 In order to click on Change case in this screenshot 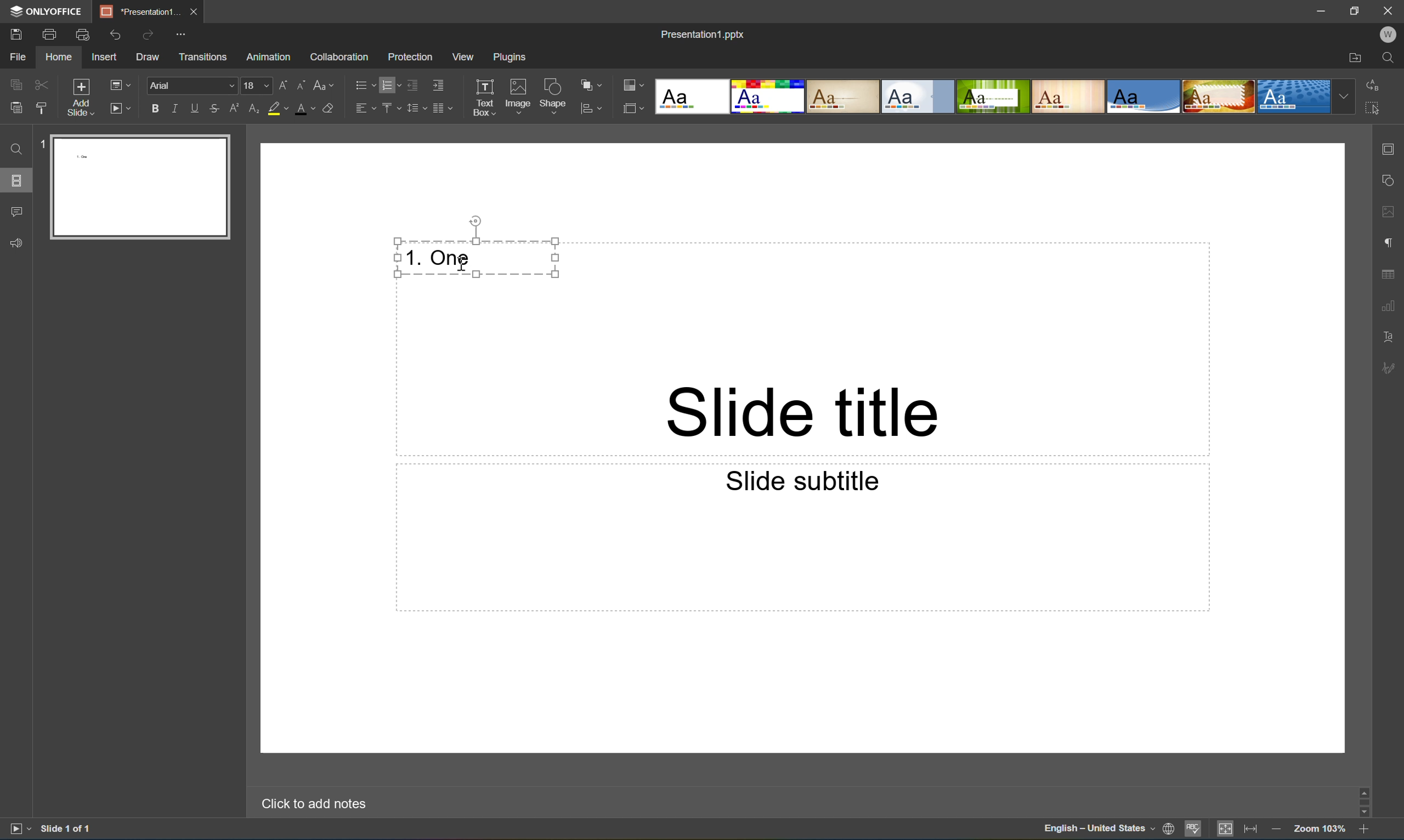, I will do `click(320, 85)`.